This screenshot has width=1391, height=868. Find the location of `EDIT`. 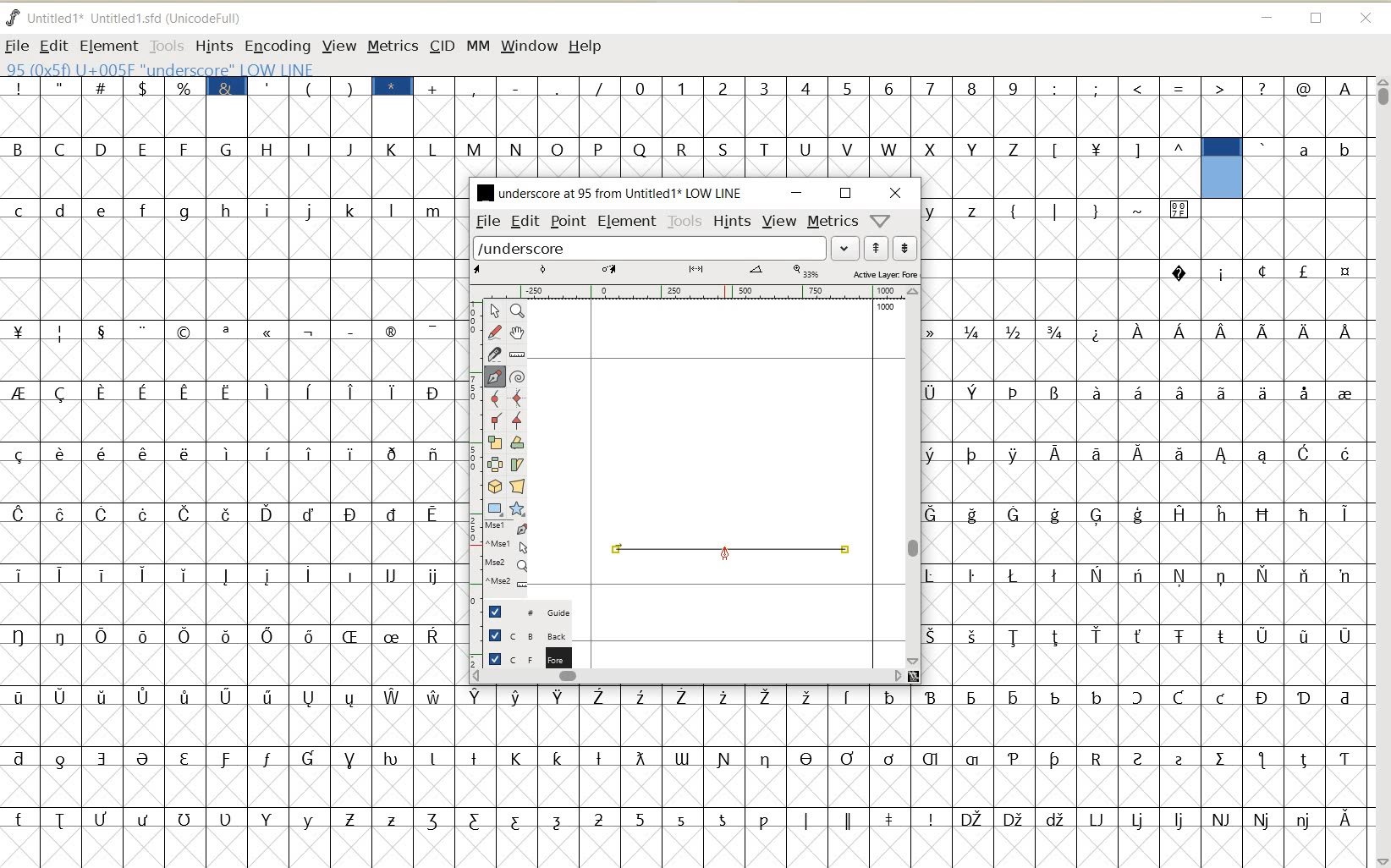

EDIT is located at coordinates (52, 47).